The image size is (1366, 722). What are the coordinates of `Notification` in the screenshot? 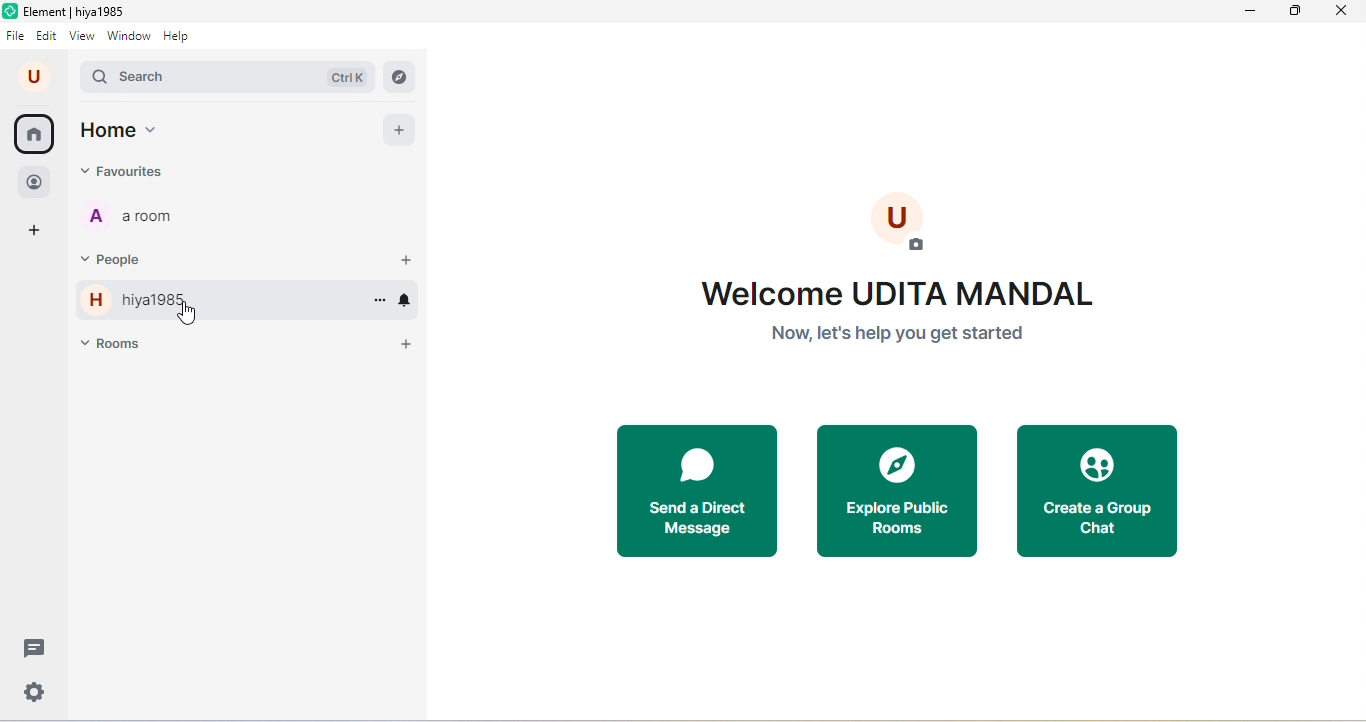 It's located at (406, 300).